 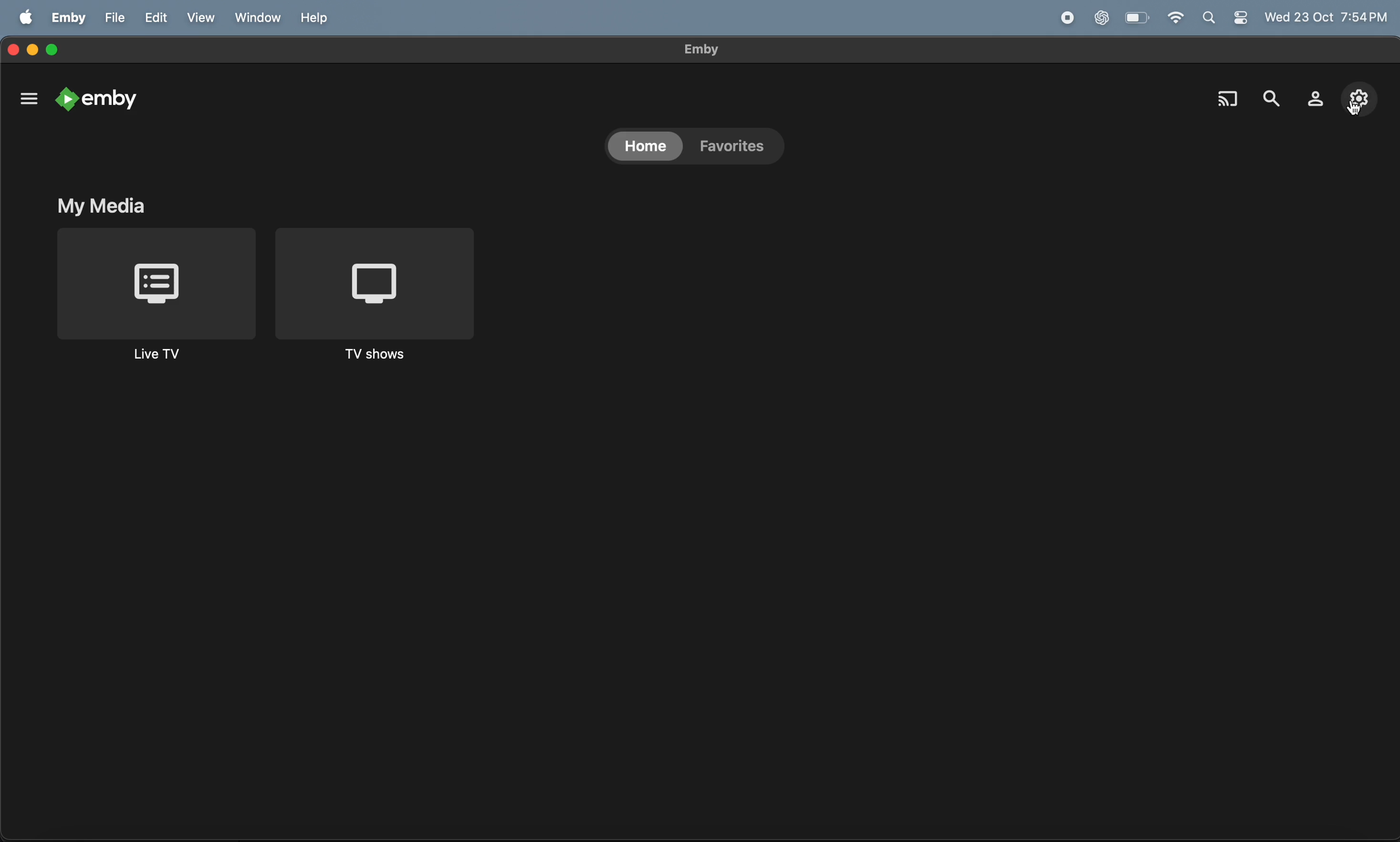 What do you see at coordinates (258, 18) in the screenshot?
I see `window` at bounding box center [258, 18].